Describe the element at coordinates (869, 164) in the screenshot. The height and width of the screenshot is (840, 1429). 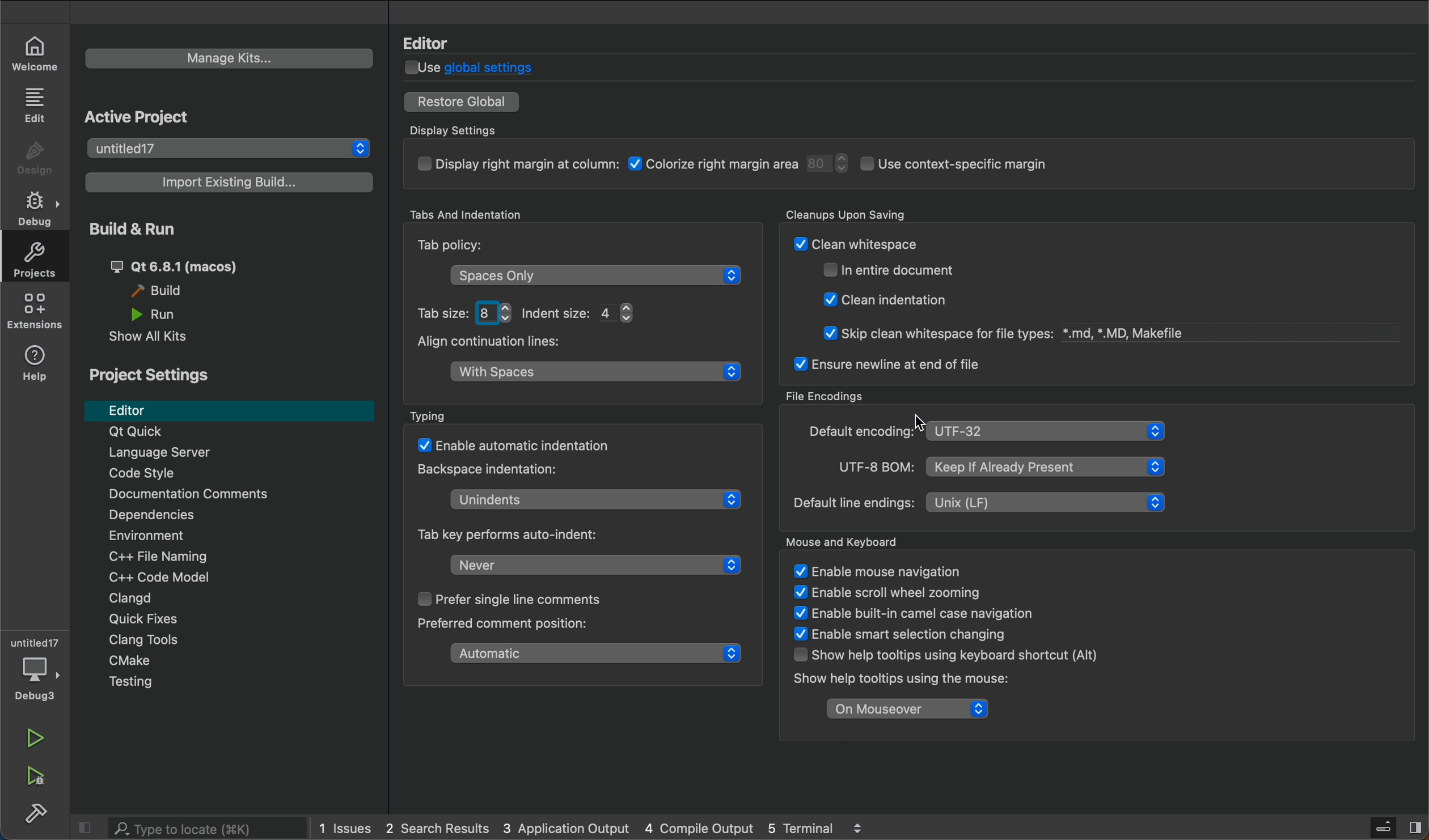
I see `display setings` at that location.